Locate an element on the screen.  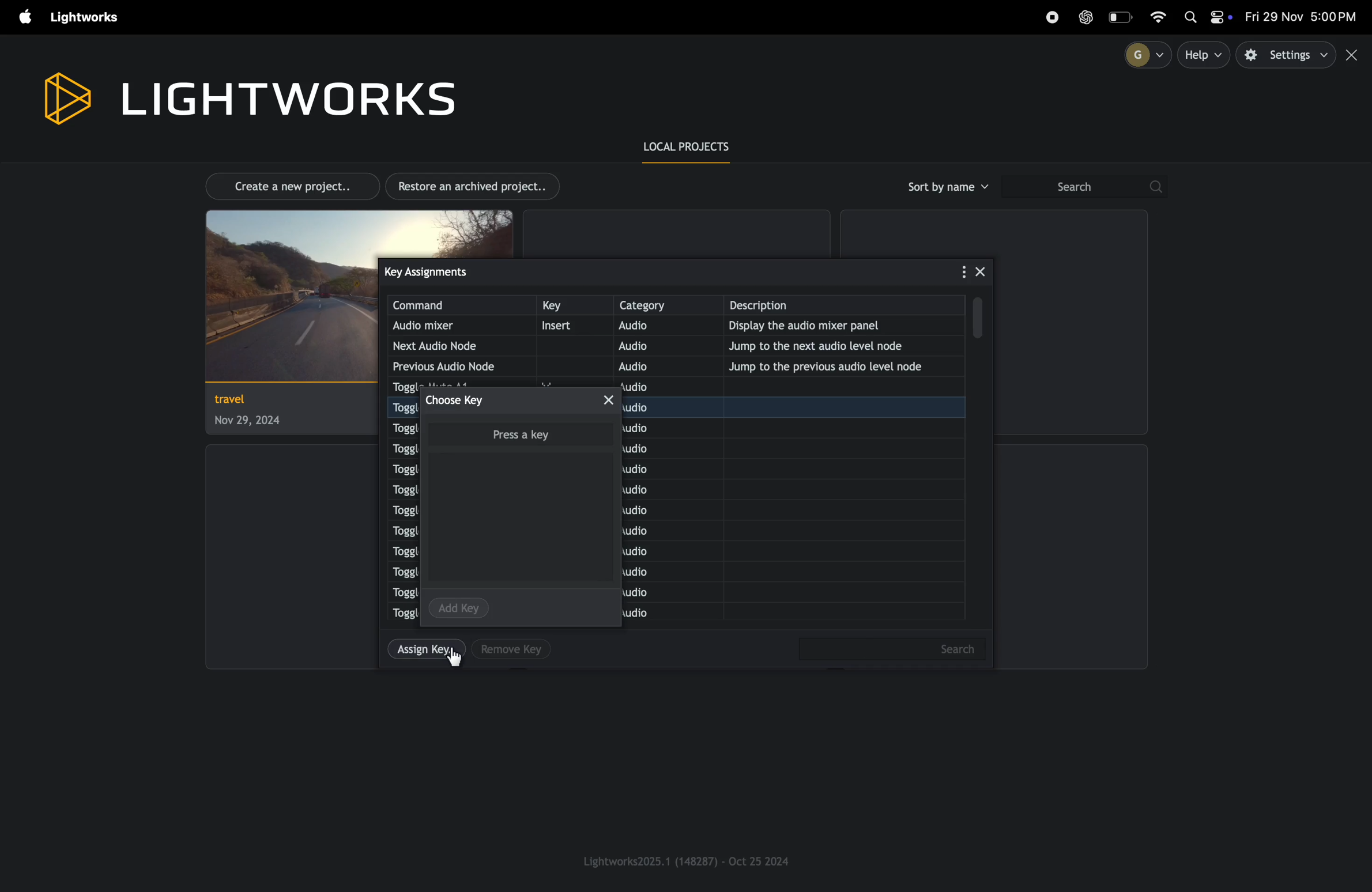
help is located at coordinates (1205, 55).